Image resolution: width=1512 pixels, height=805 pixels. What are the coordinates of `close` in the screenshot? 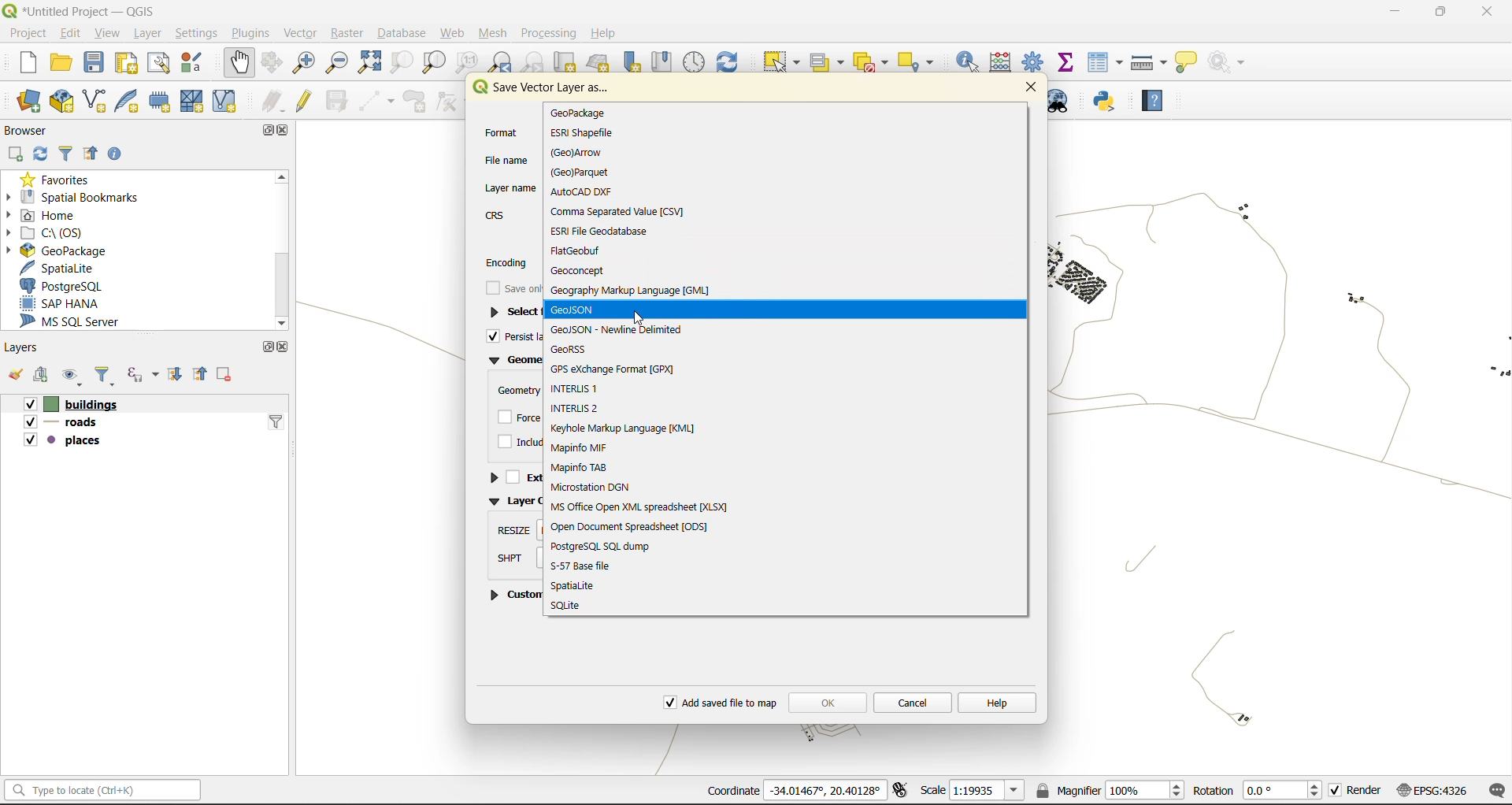 It's located at (1027, 87).